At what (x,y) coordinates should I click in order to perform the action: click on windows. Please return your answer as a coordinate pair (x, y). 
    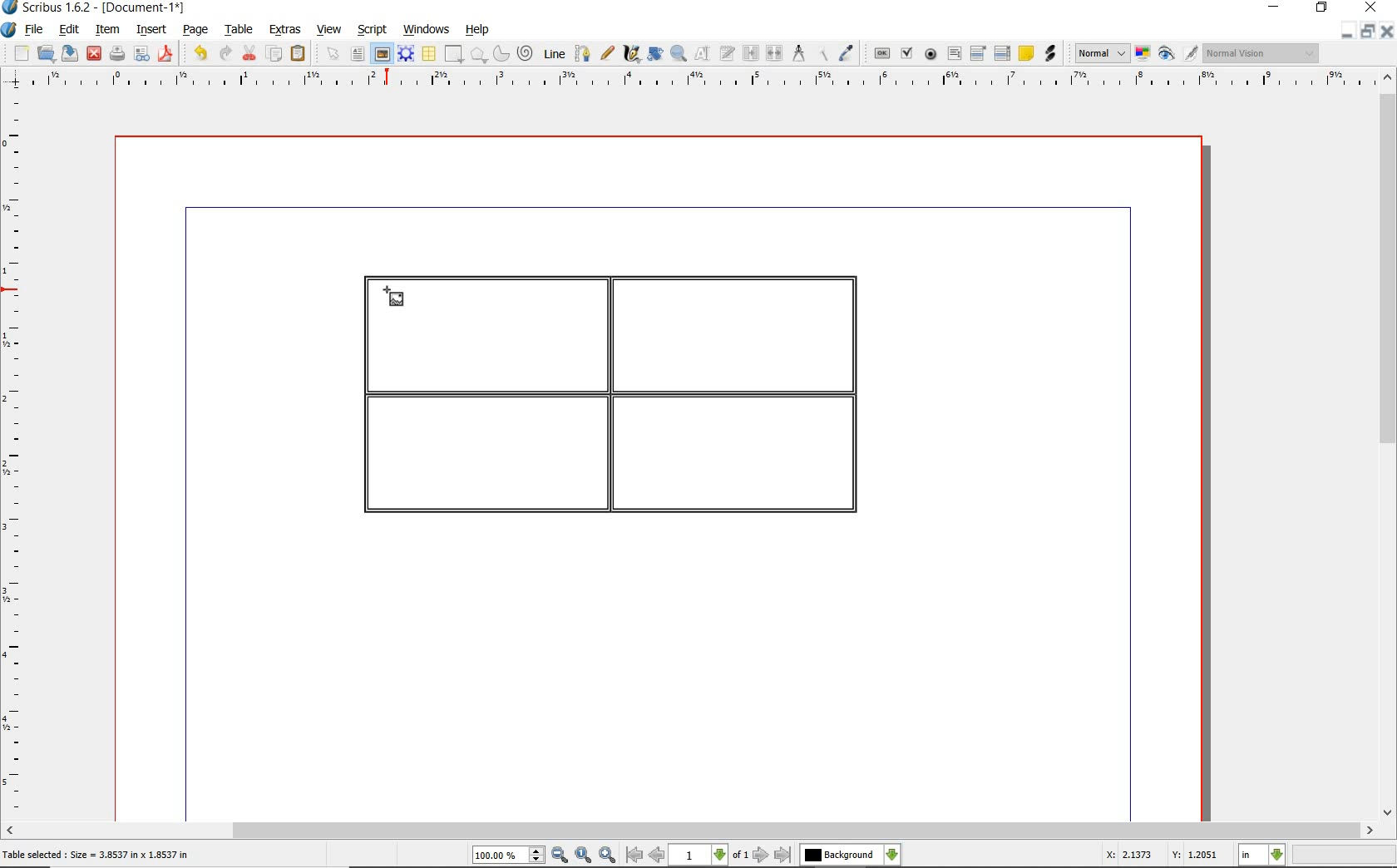
    Looking at the image, I should click on (426, 30).